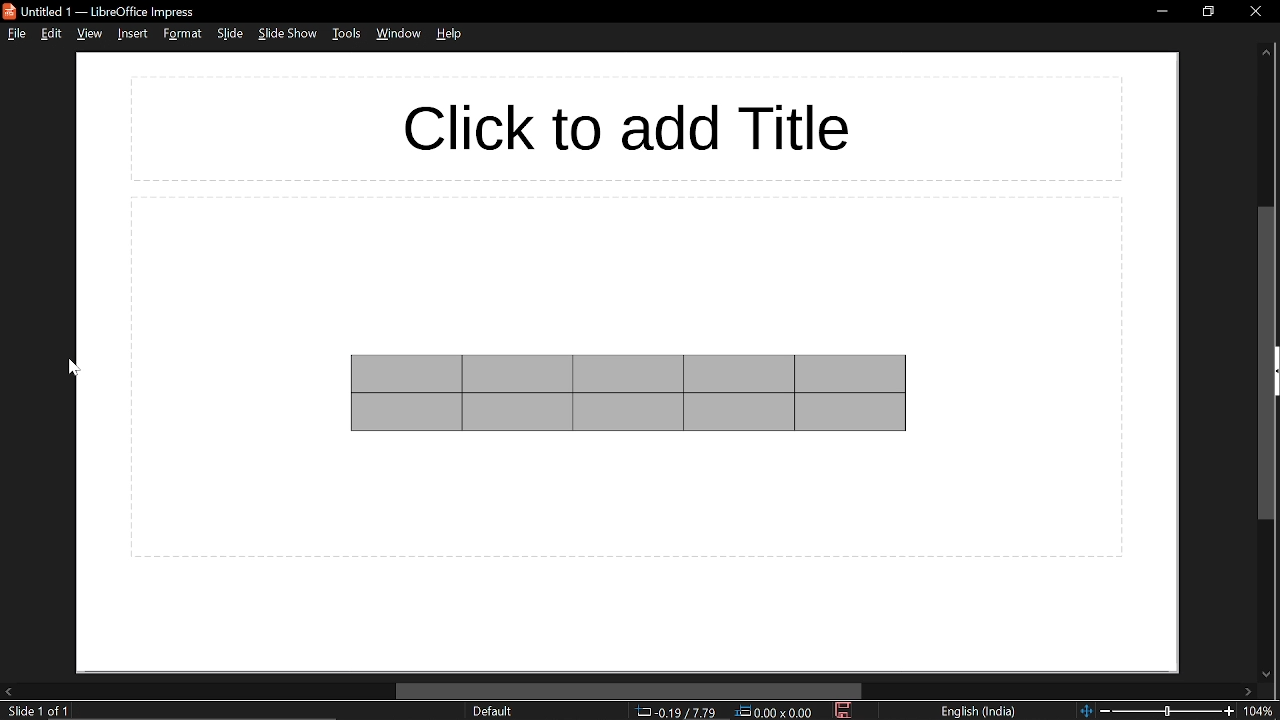 This screenshot has height=720, width=1280. What do you see at coordinates (494, 711) in the screenshot?
I see `slide style` at bounding box center [494, 711].